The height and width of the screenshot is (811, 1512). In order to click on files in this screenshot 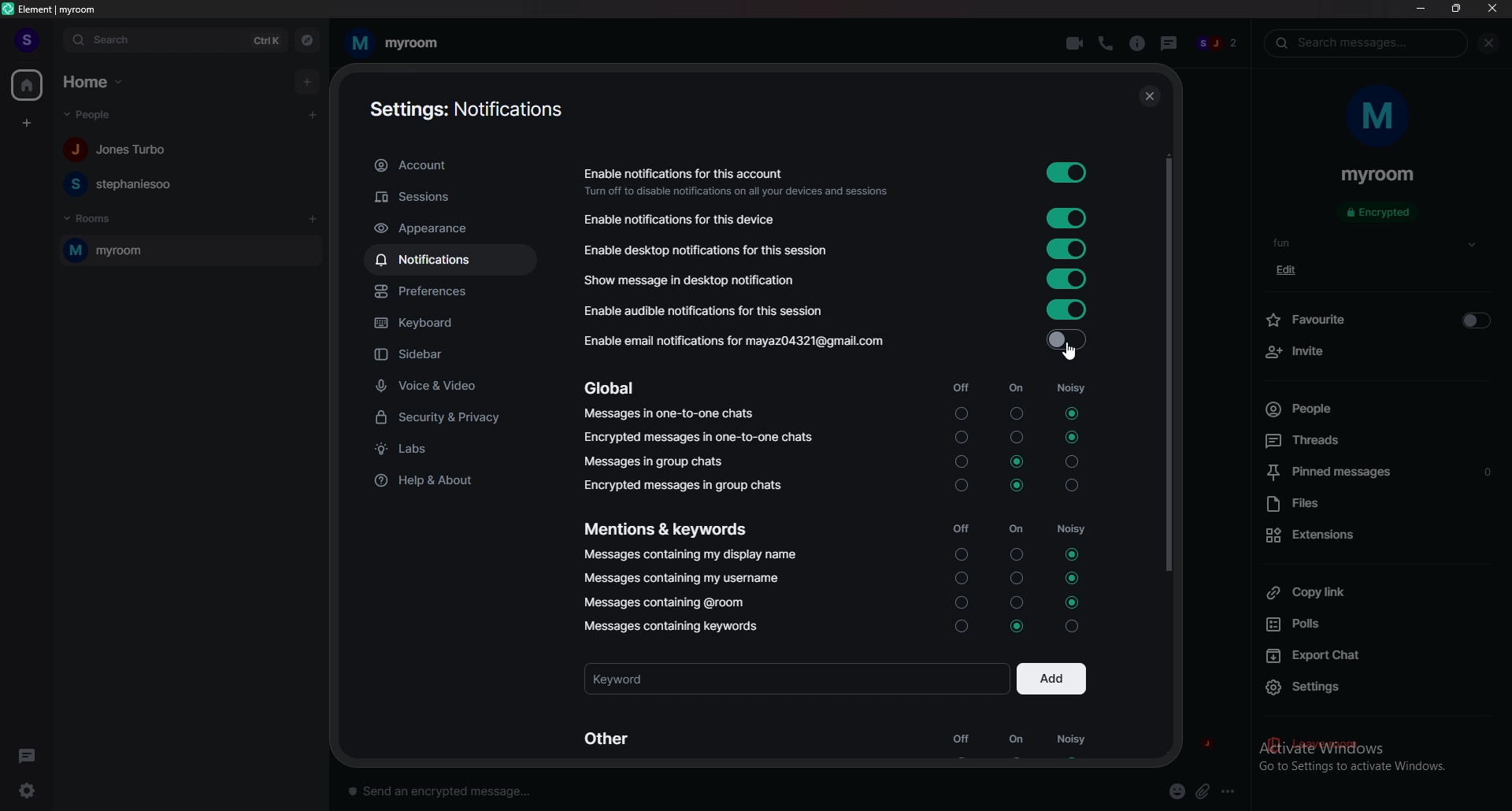, I will do `click(1377, 505)`.